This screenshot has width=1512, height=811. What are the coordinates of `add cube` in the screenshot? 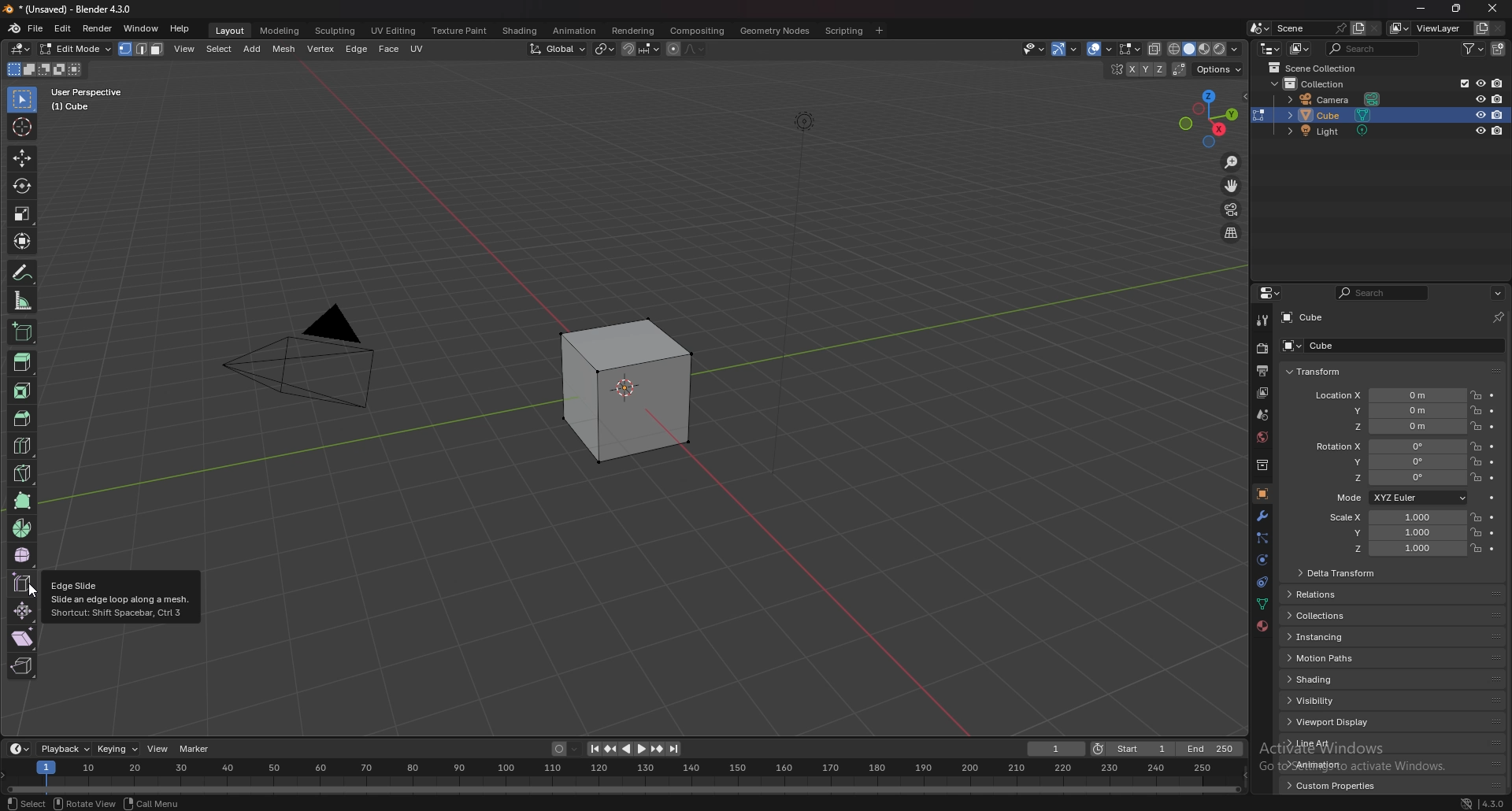 It's located at (21, 332).